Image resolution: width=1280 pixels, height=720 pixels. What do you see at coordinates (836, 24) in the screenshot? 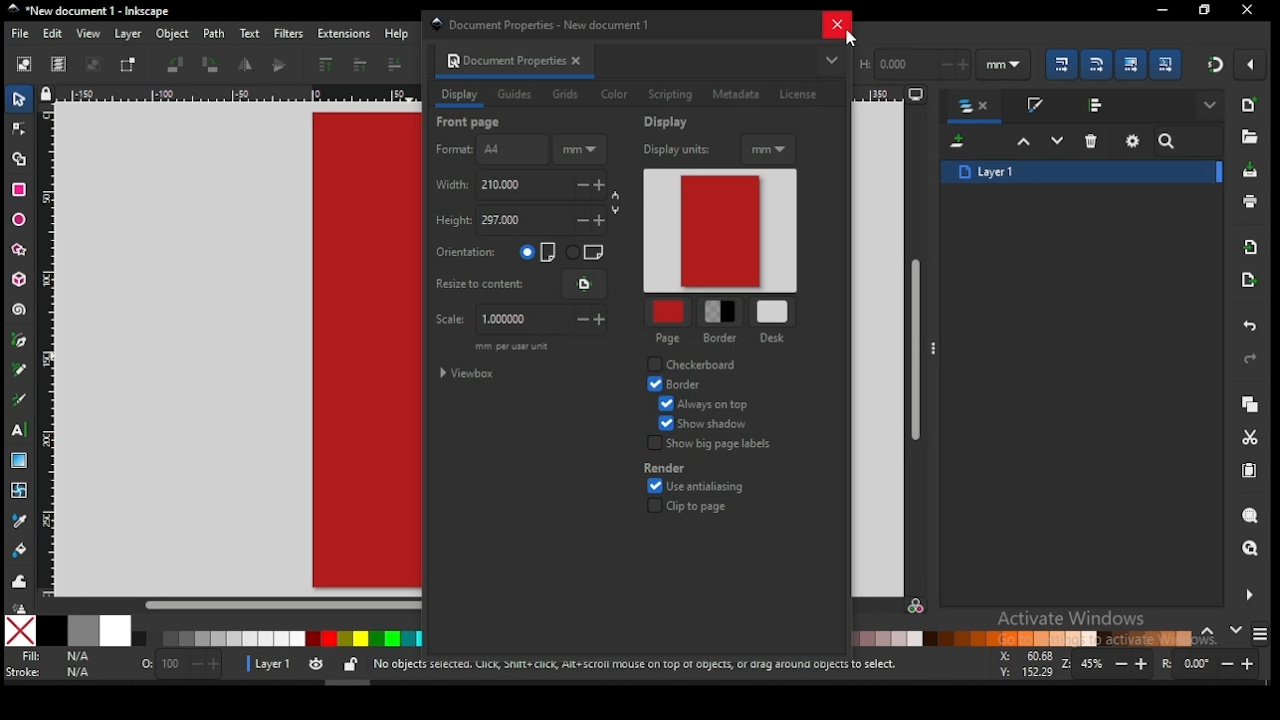
I see `close window` at bounding box center [836, 24].